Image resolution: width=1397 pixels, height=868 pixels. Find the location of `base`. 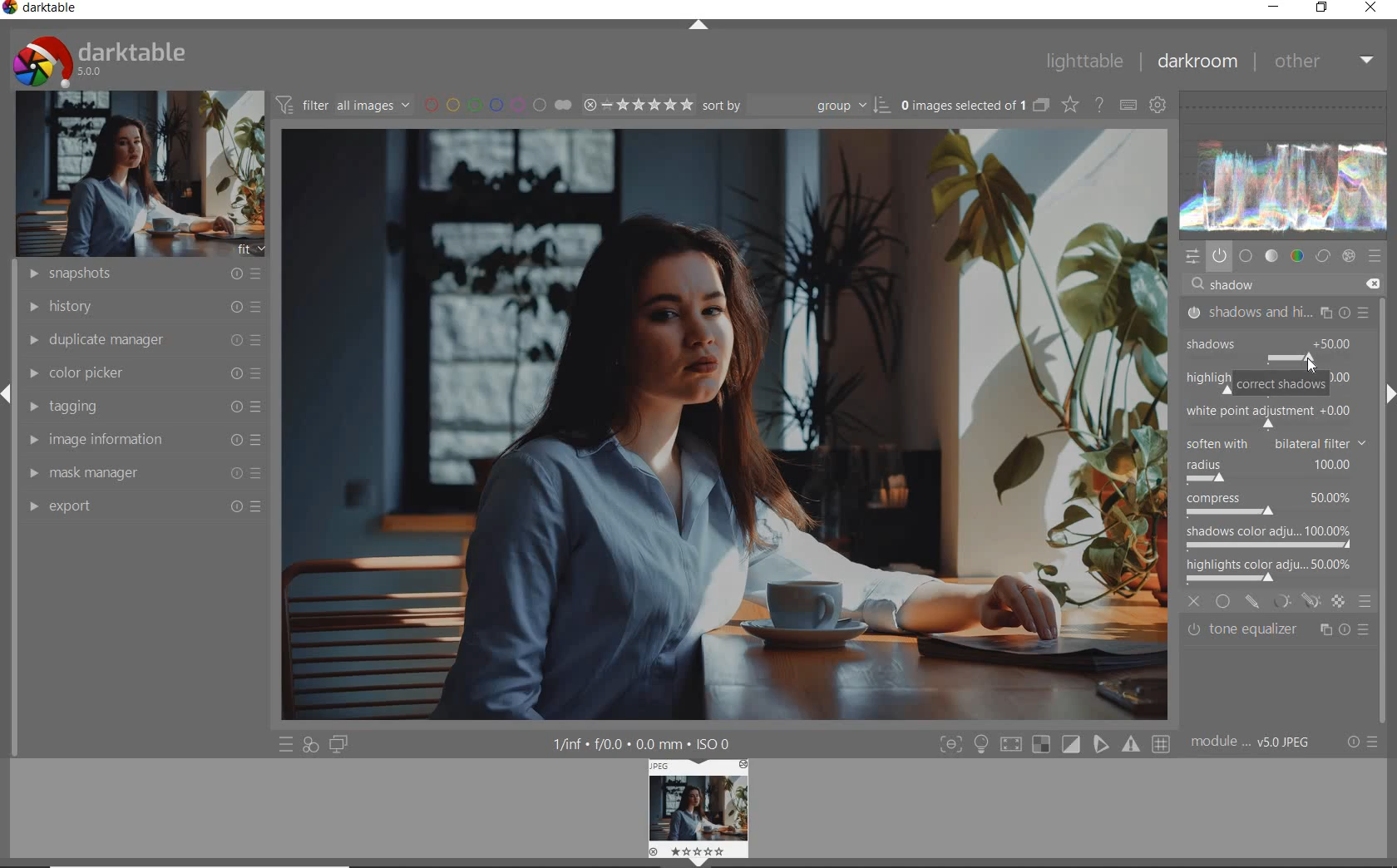

base is located at coordinates (1246, 255).